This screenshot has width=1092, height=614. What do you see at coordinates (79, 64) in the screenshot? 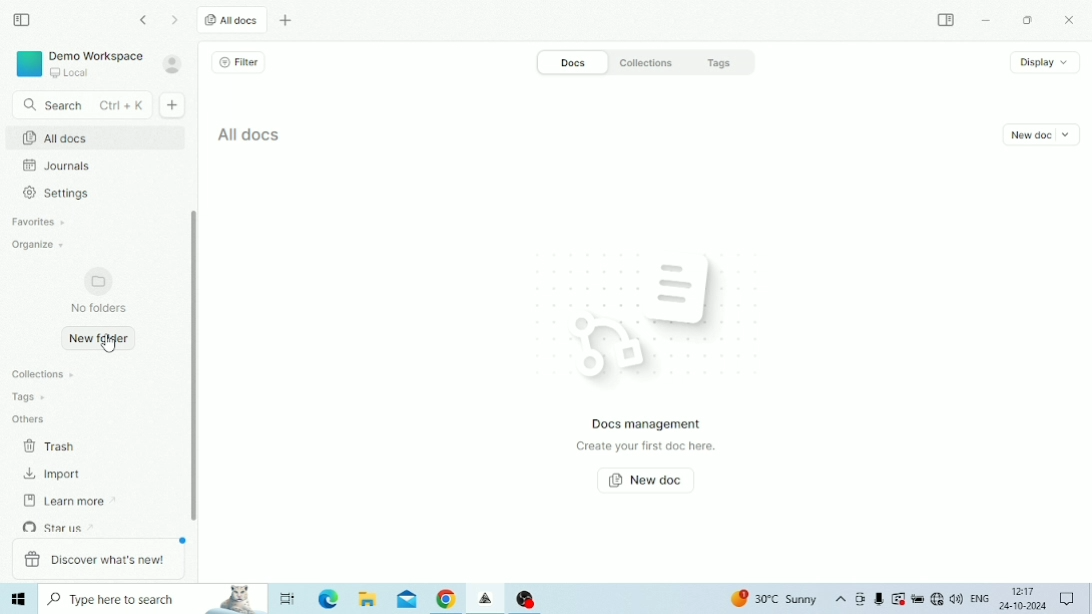
I see `Demo Workspace` at bounding box center [79, 64].